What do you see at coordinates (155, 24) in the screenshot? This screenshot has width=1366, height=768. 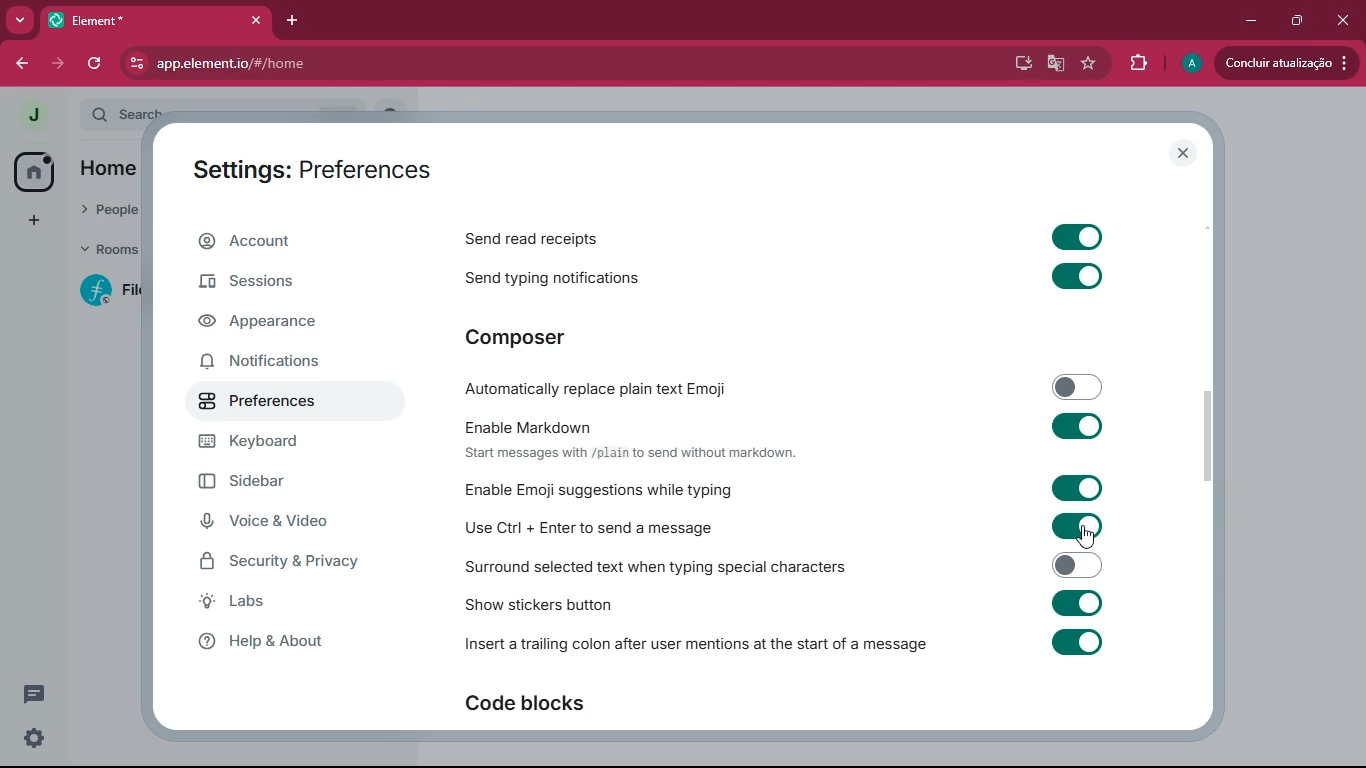 I see `*Element` at bounding box center [155, 24].